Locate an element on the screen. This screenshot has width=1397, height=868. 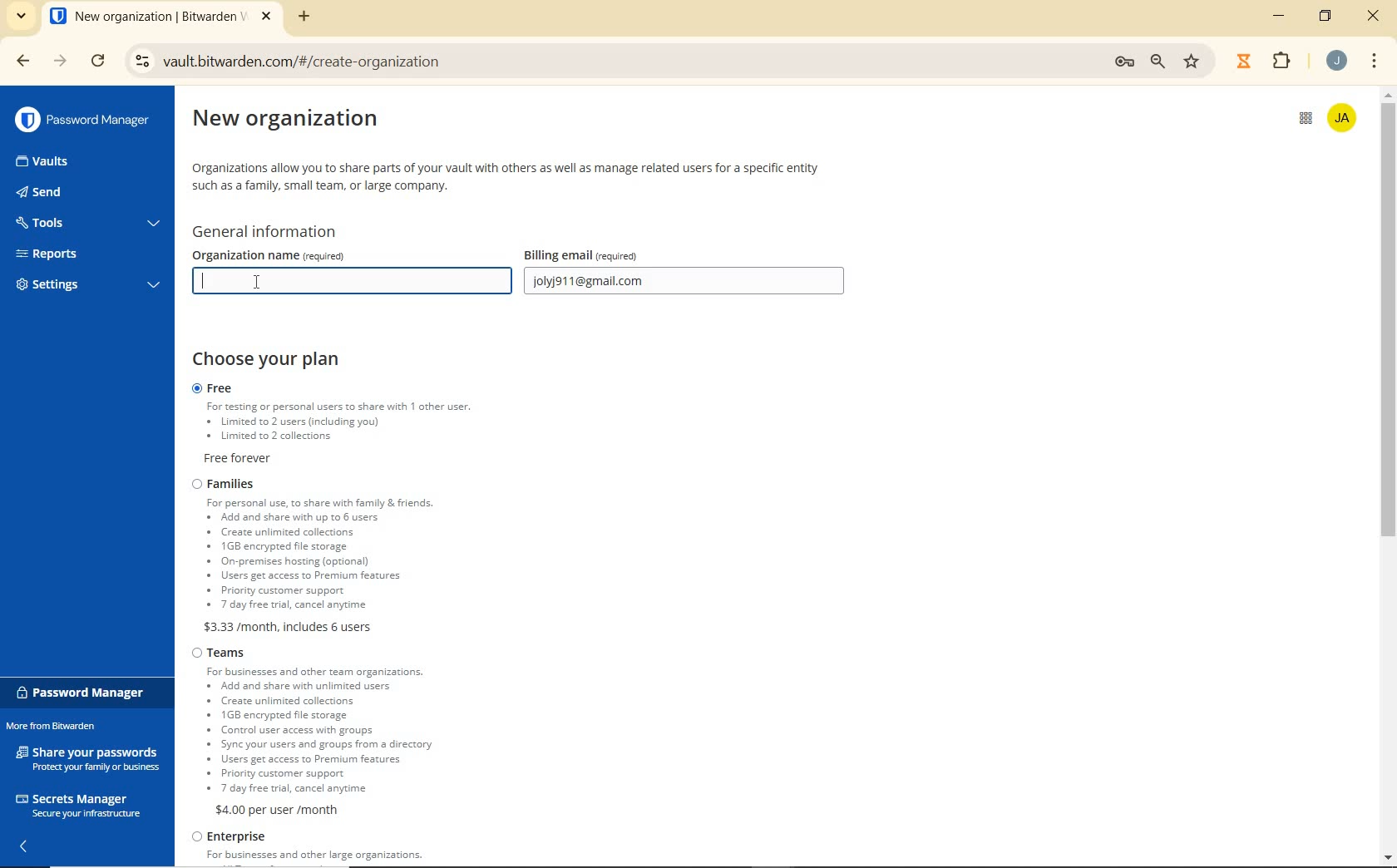
organization name is located at coordinates (317, 254).